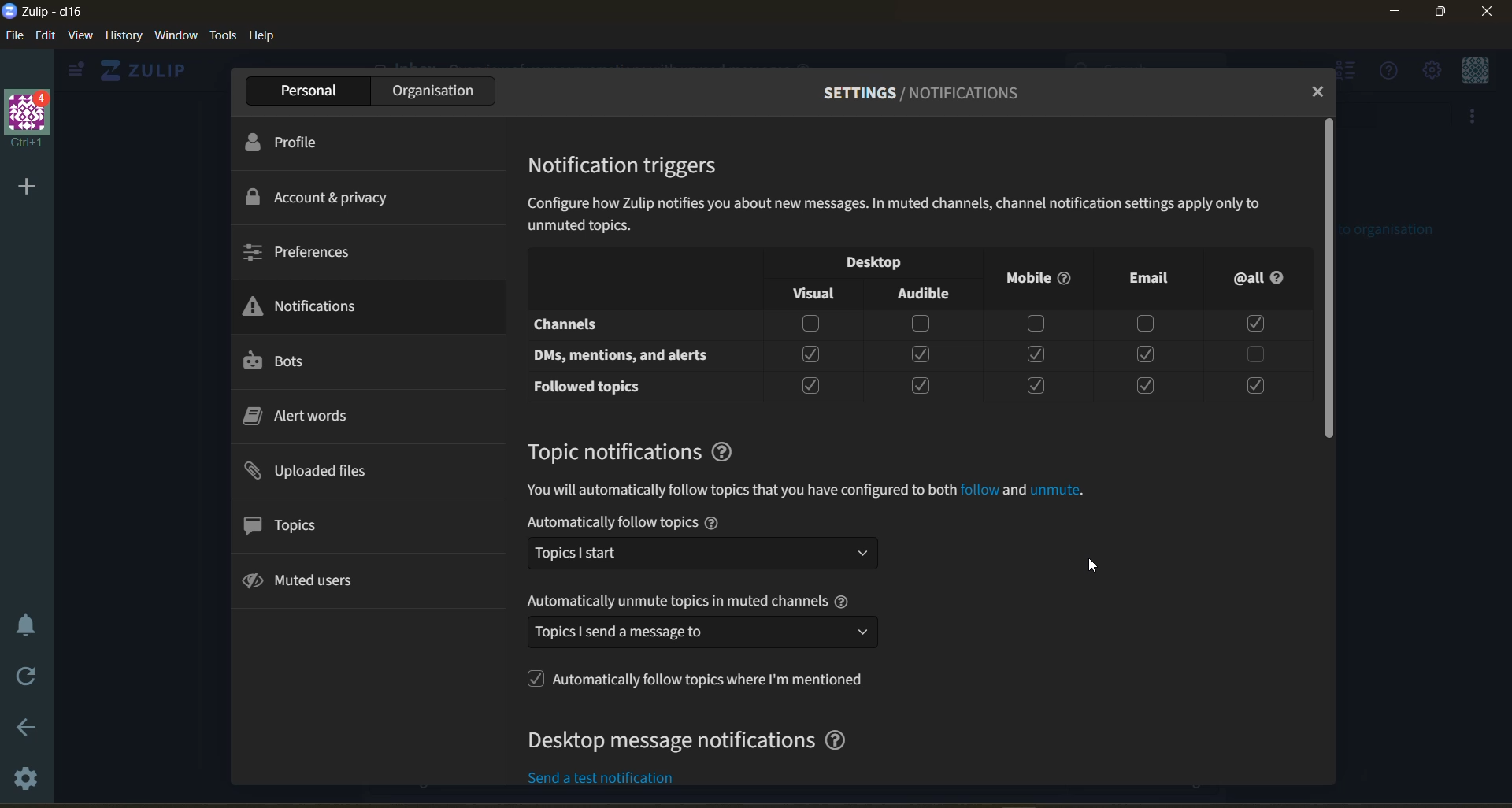 The image size is (1512, 808). Describe the element at coordinates (923, 354) in the screenshot. I see `Checkbox` at that location.